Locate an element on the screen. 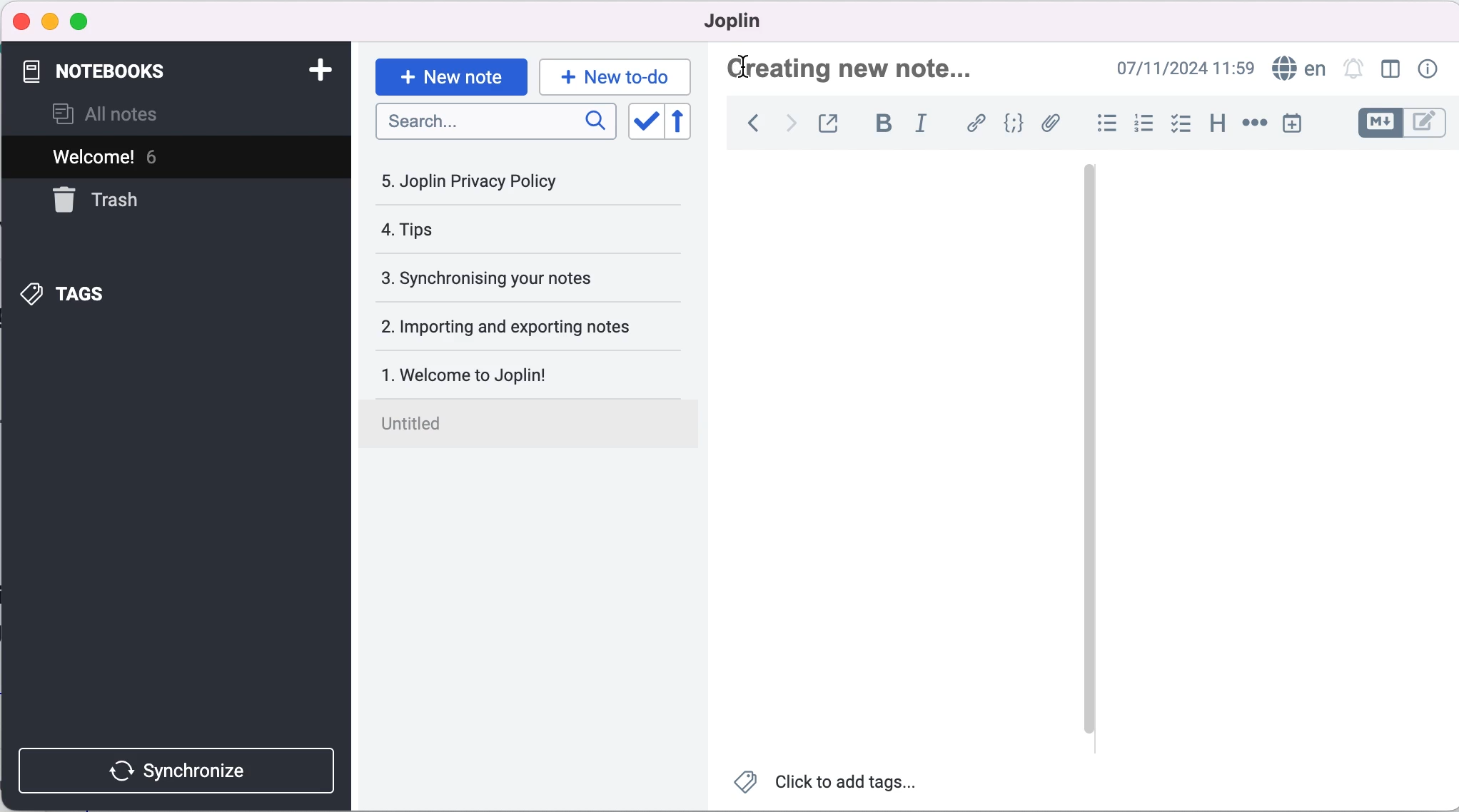 Image resolution: width=1459 pixels, height=812 pixels. code is located at coordinates (1014, 123).